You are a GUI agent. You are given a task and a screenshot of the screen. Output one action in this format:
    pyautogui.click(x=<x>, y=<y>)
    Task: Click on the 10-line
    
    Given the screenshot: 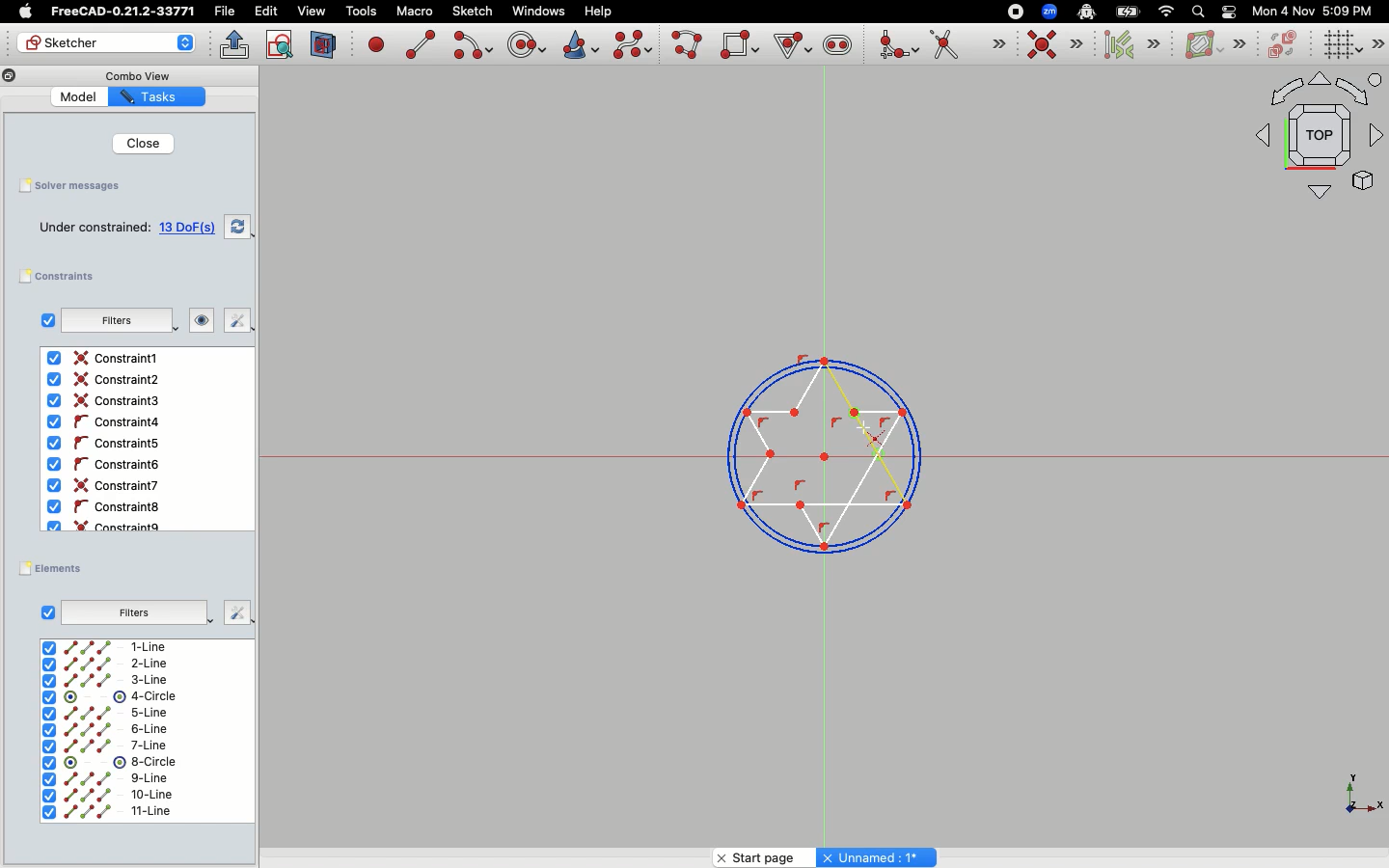 What is the action you would take?
    pyautogui.click(x=107, y=795)
    